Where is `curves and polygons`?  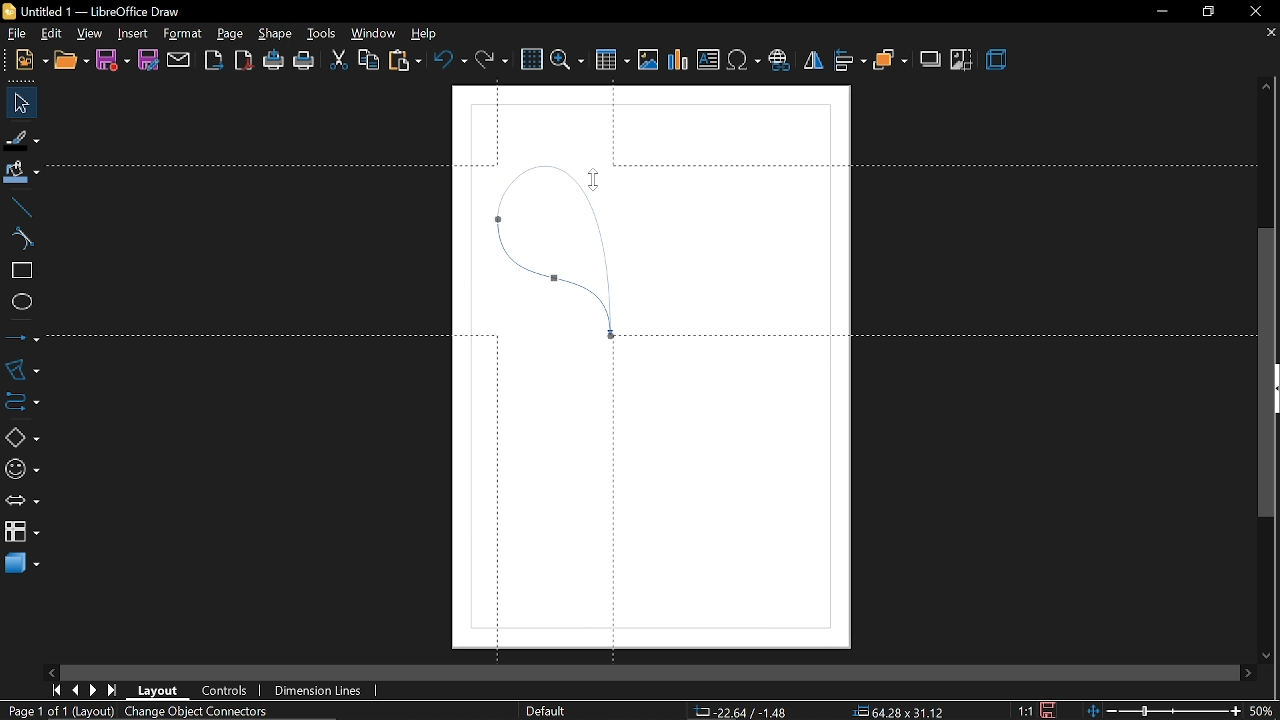
curves and polygons is located at coordinates (20, 369).